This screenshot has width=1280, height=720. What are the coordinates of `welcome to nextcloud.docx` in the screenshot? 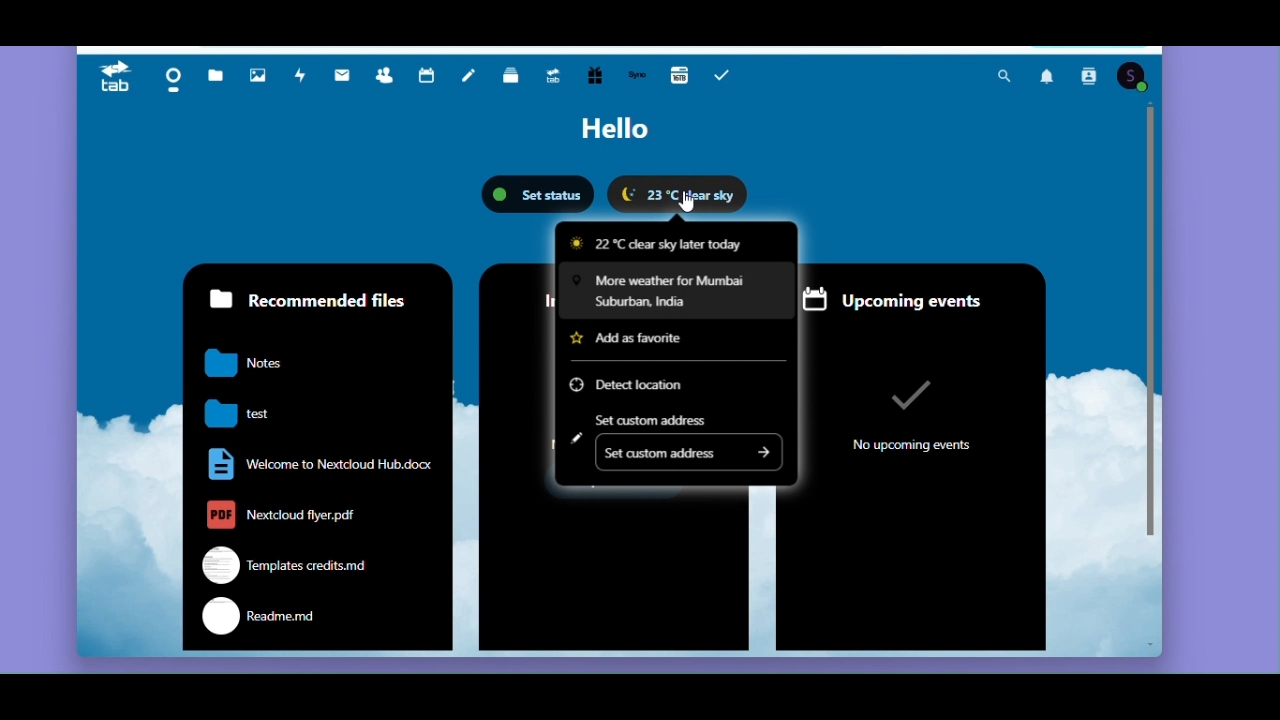 It's located at (317, 463).